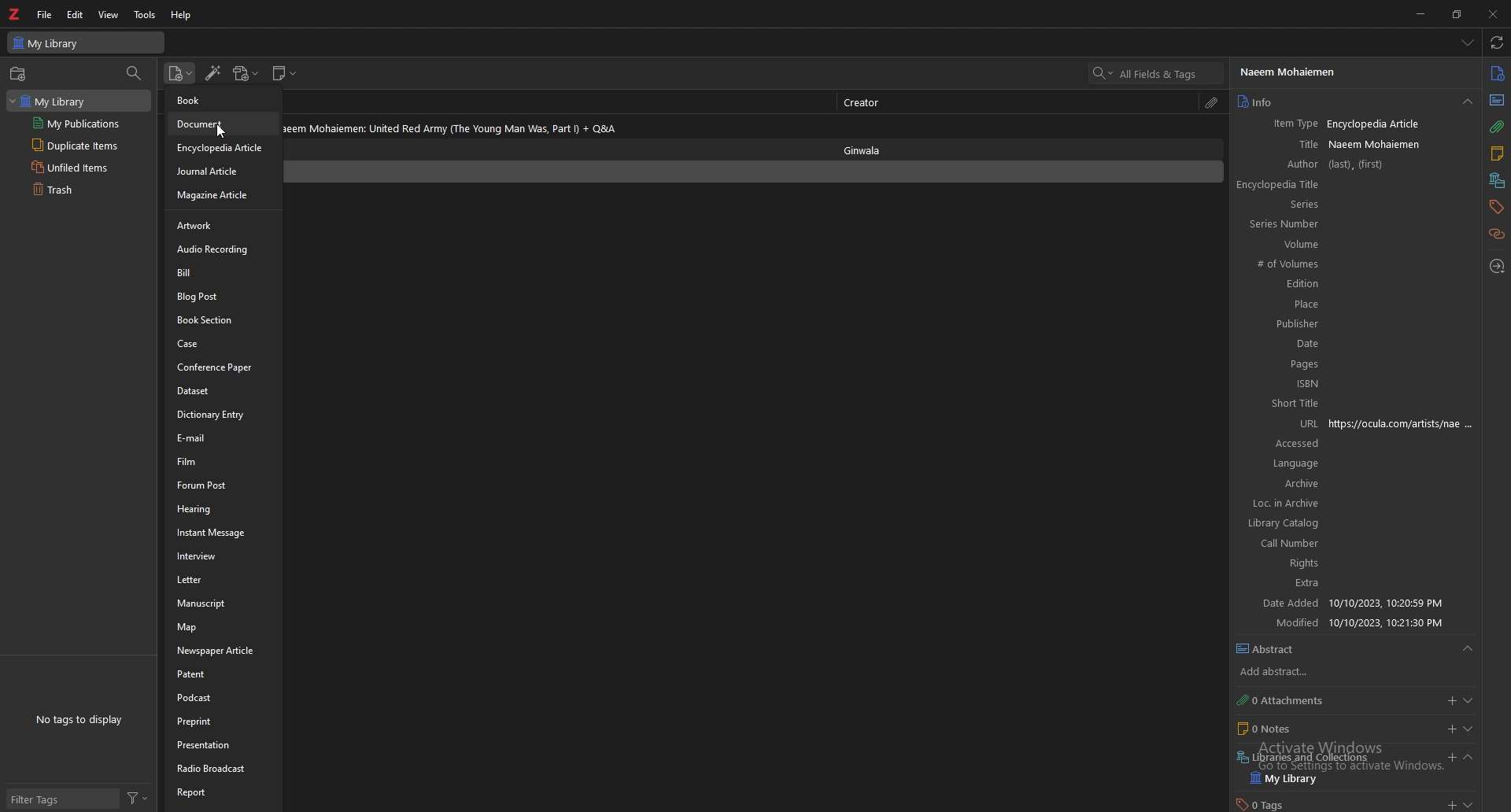  What do you see at coordinates (1278, 623) in the screenshot?
I see `modified` at bounding box center [1278, 623].